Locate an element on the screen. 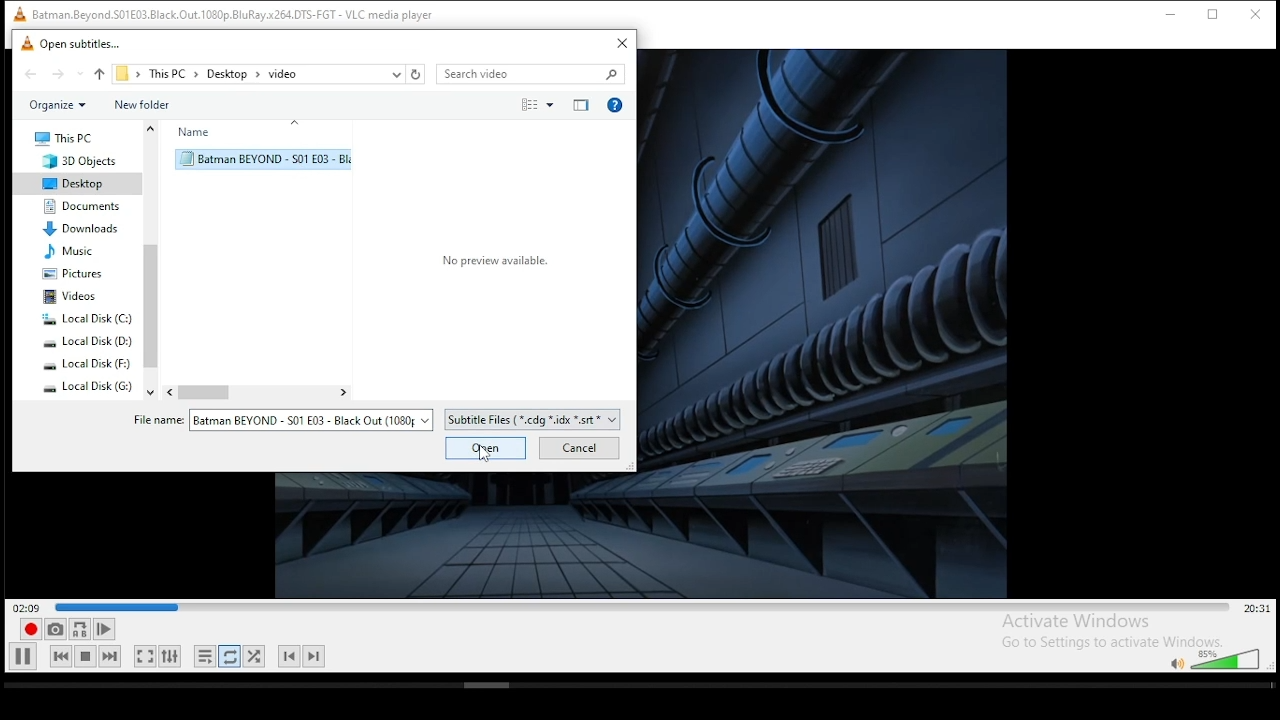  elapsed time is located at coordinates (26, 606).